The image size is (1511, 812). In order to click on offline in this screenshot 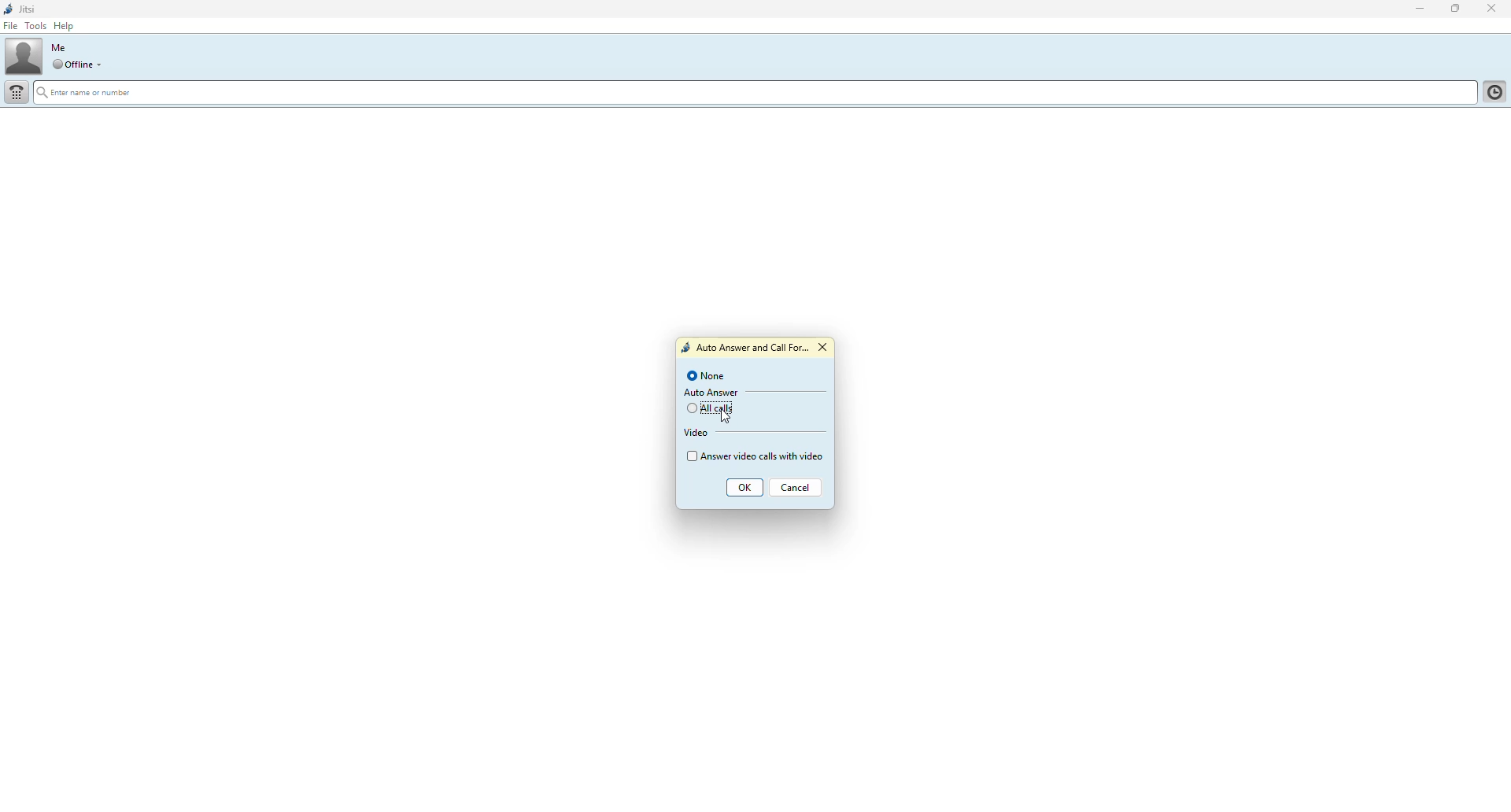, I will do `click(72, 65)`.